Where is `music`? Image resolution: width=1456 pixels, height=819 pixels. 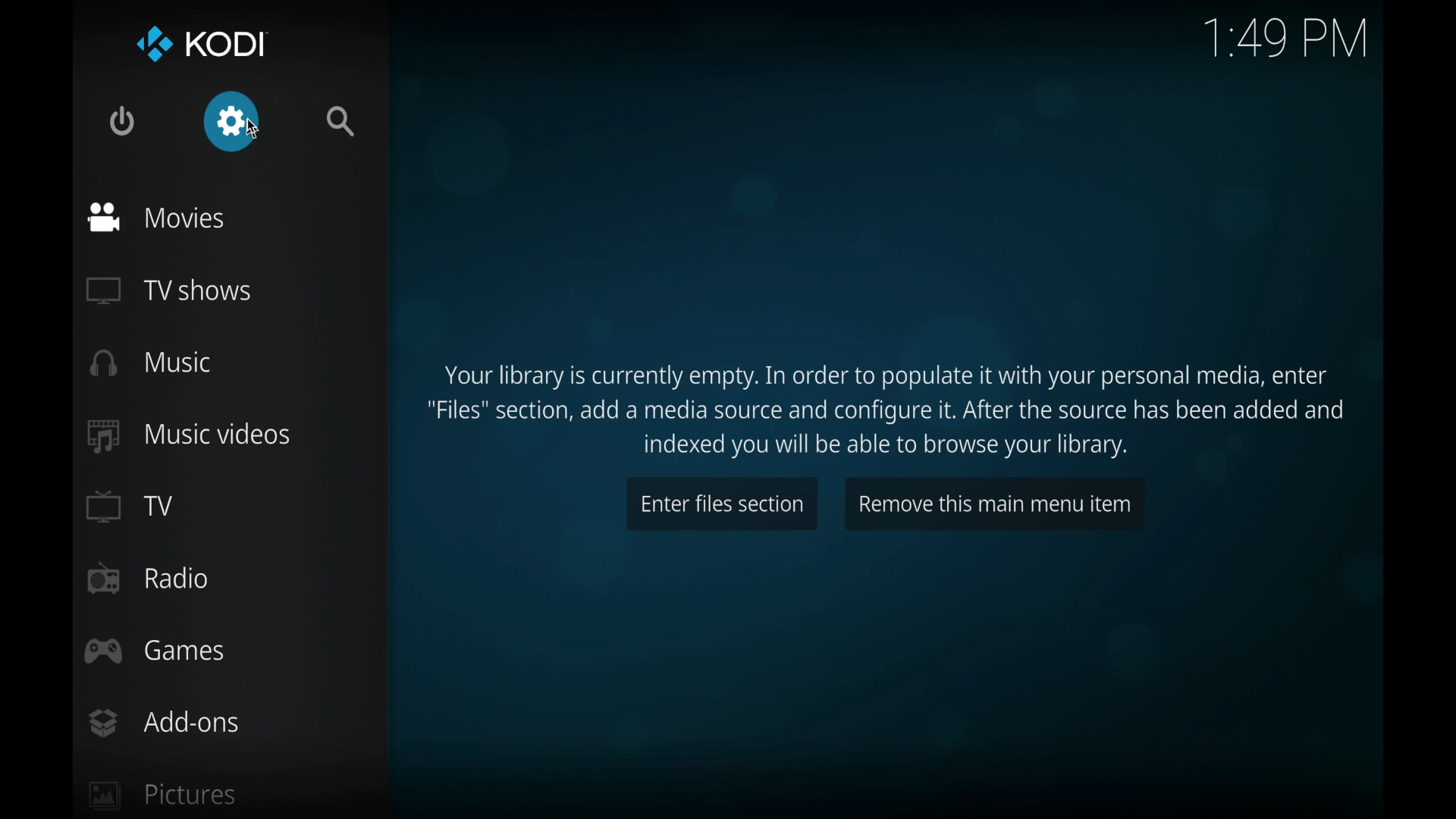 music is located at coordinates (152, 362).